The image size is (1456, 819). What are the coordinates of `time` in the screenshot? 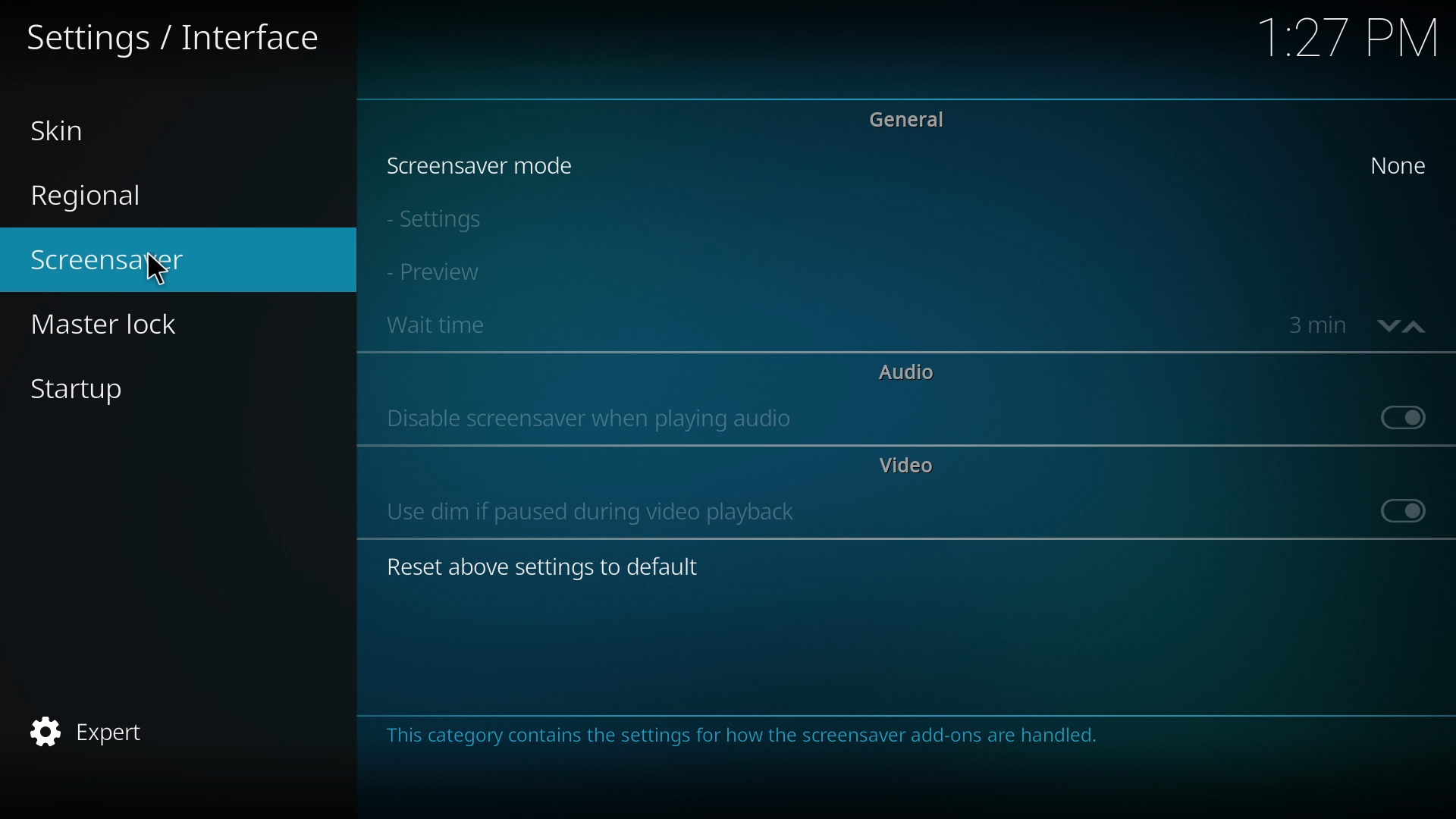 It's located at (1318, 325).